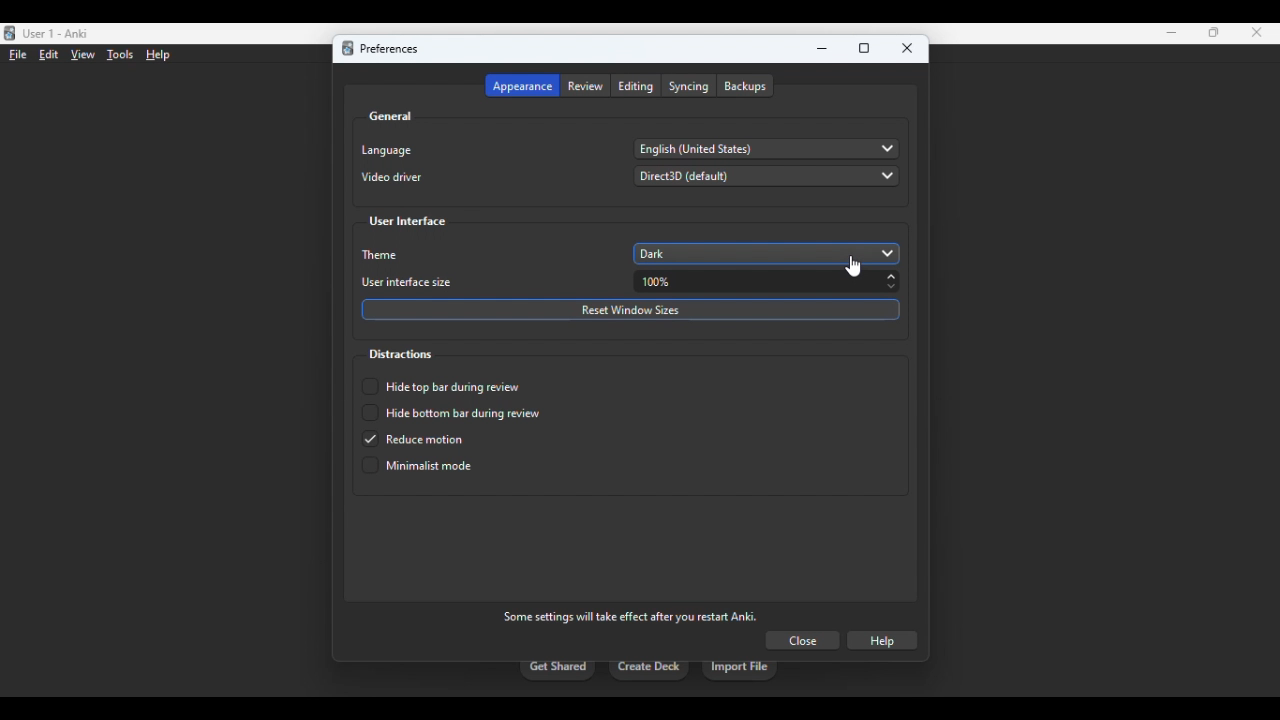 Image resolution: width=1280 pixels, height=720 pixels. What do you see at coordinates (1172, 33) in the screenshot?
I see `minimize` at bounding box center [1172, 33].